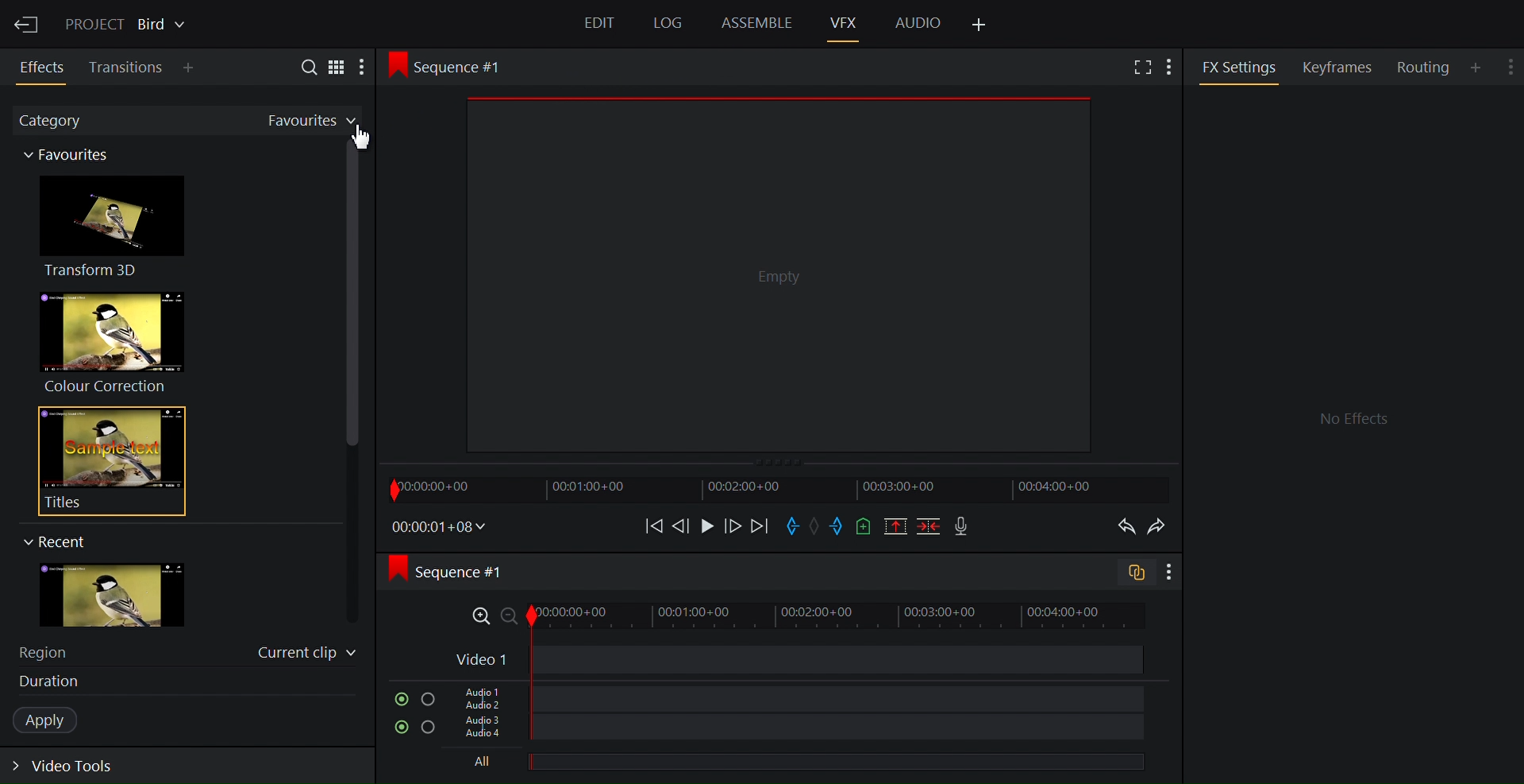  What do you see at coordinates (117, 229) in the screenshot?
I see `Transform 3D` at bounding box center [117, 229].